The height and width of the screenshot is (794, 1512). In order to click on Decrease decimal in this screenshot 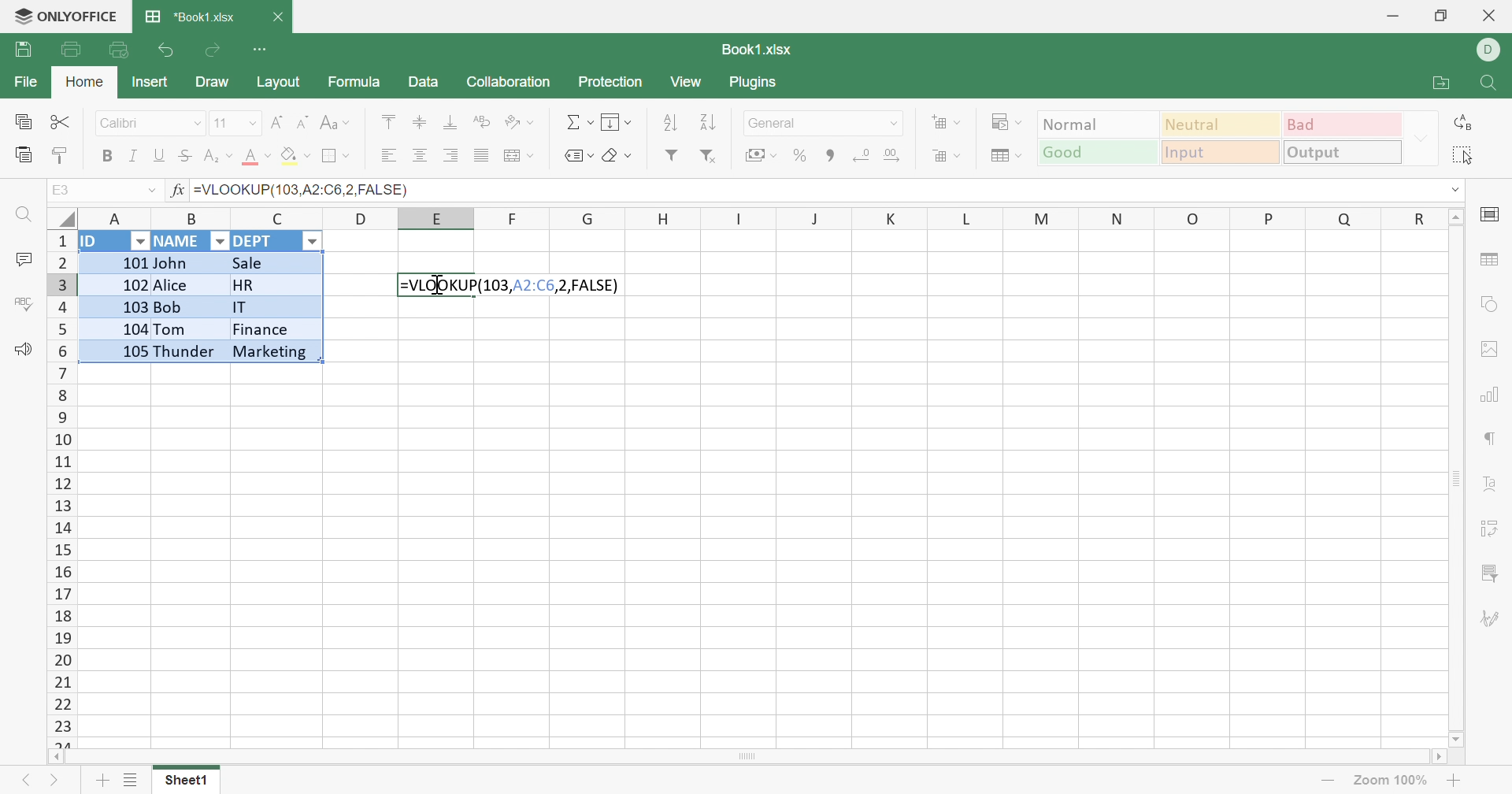, I will do `click(862, 156)`.